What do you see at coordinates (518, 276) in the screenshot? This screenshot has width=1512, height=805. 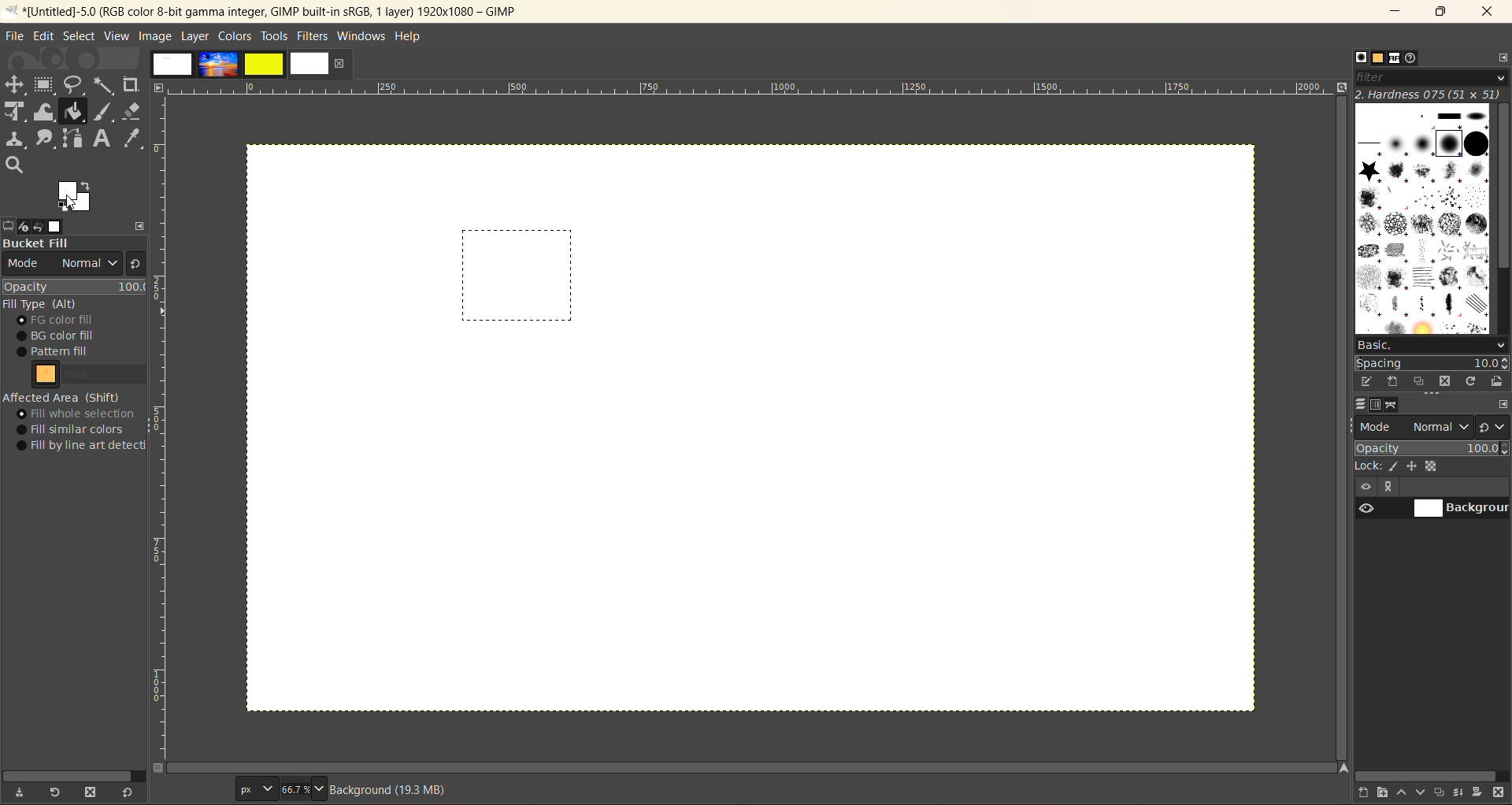 I see `shape created` at bounding box center [518, 276].